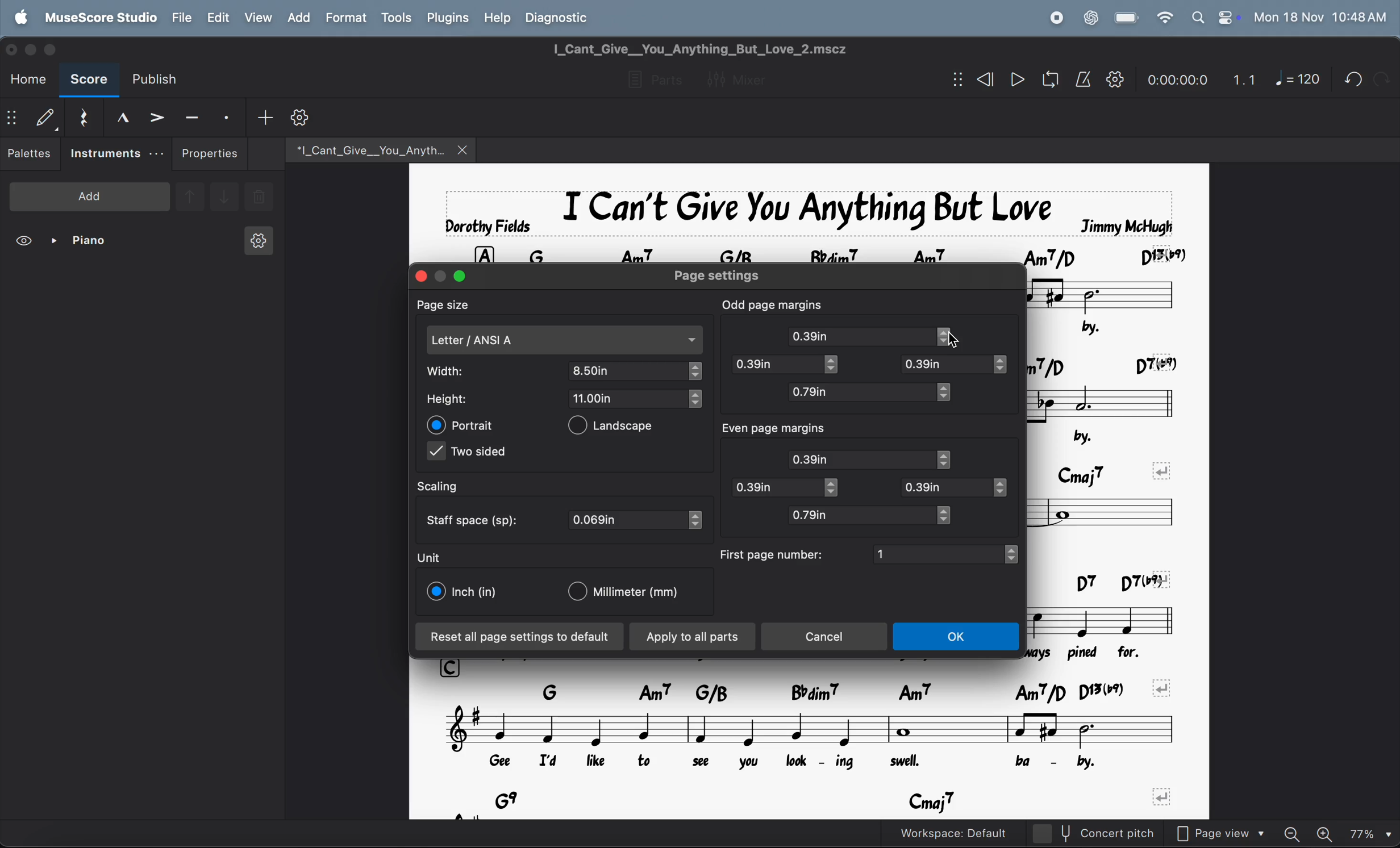 The width and height of the screenshot is (1400, 848). I want to click on maximize, so click(56, 49).